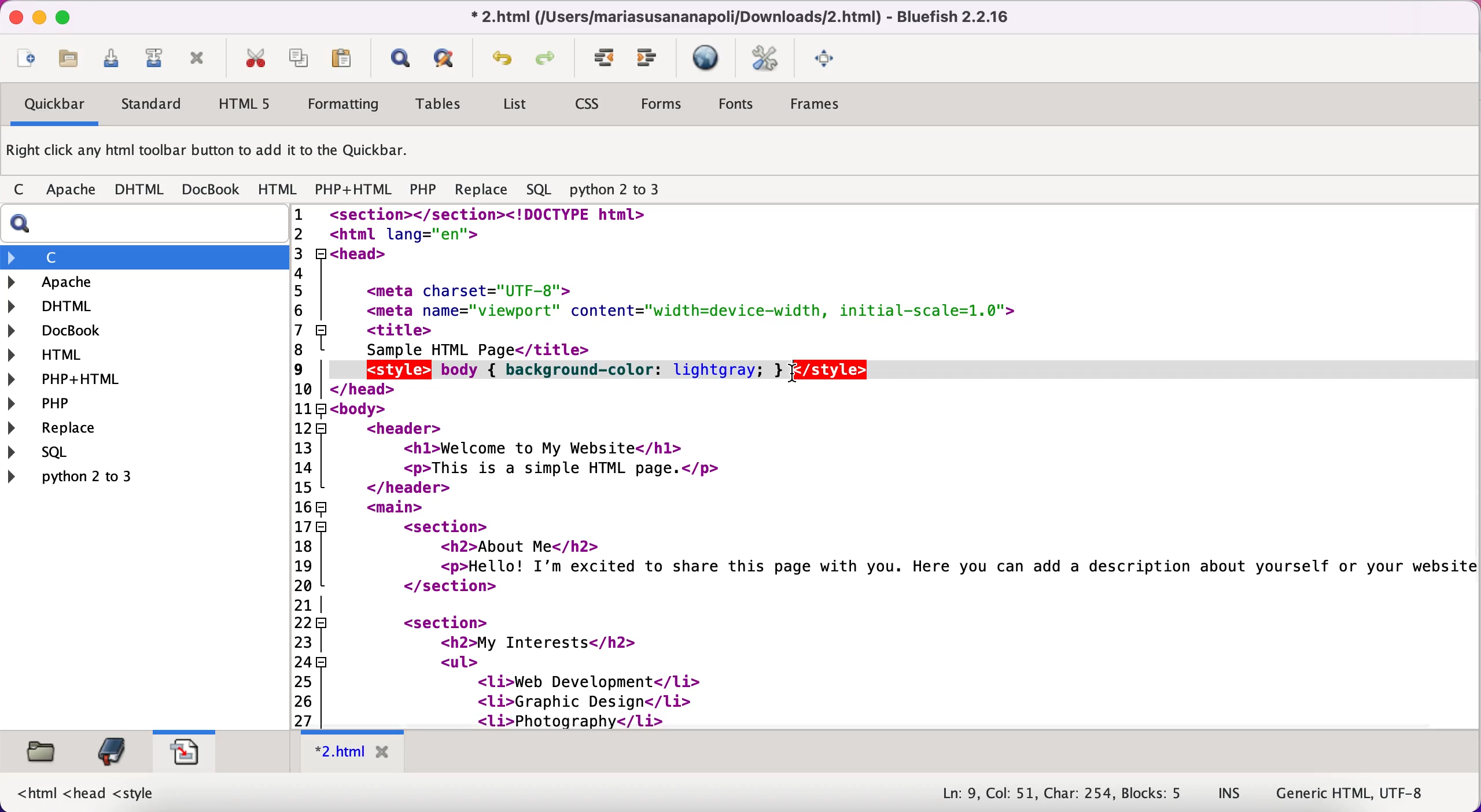  Describe the element at coordinates (279, 190) in the screenshot. I see `html` at that location.